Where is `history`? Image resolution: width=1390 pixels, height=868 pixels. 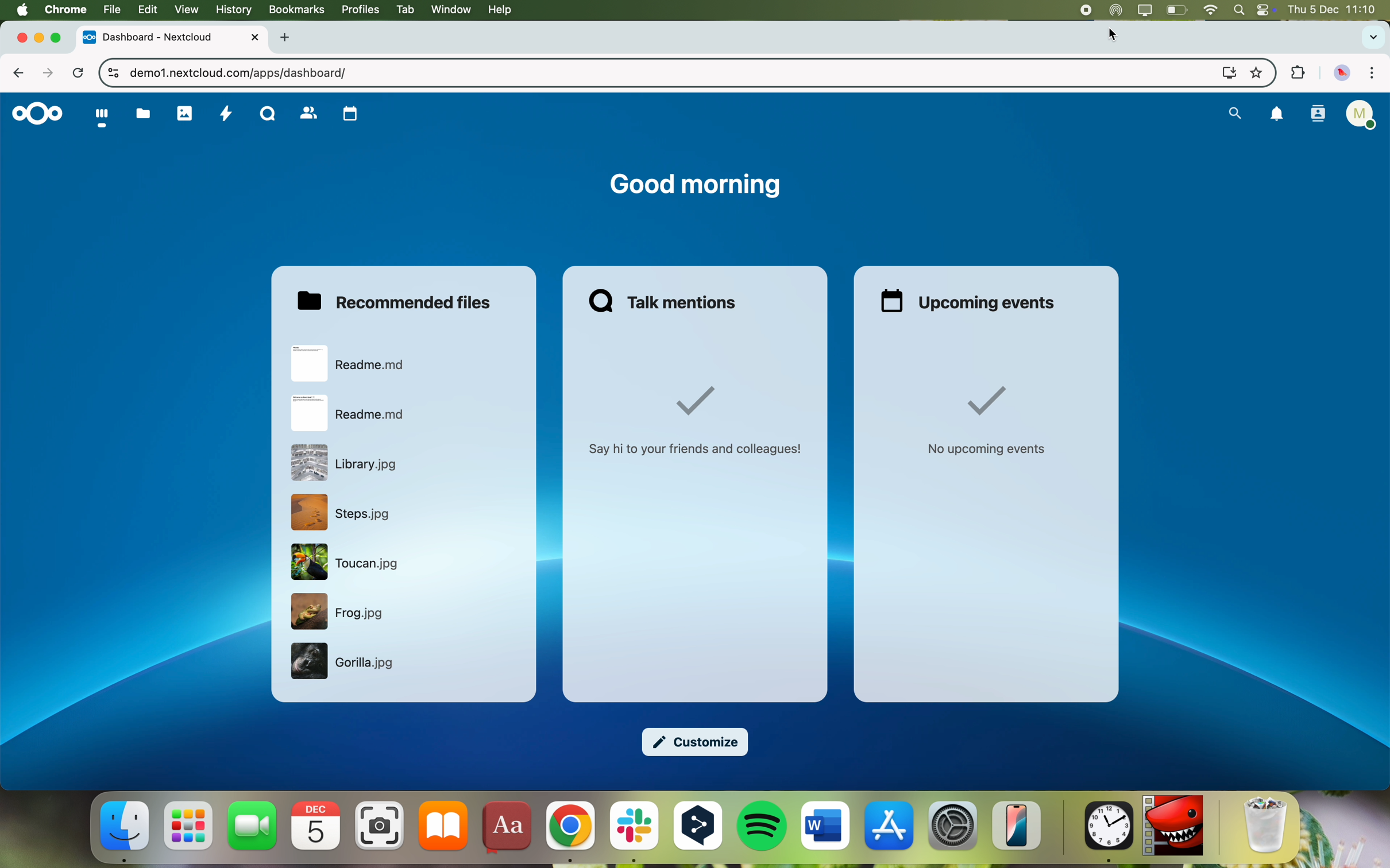
history is located at coordinates (232, 9).